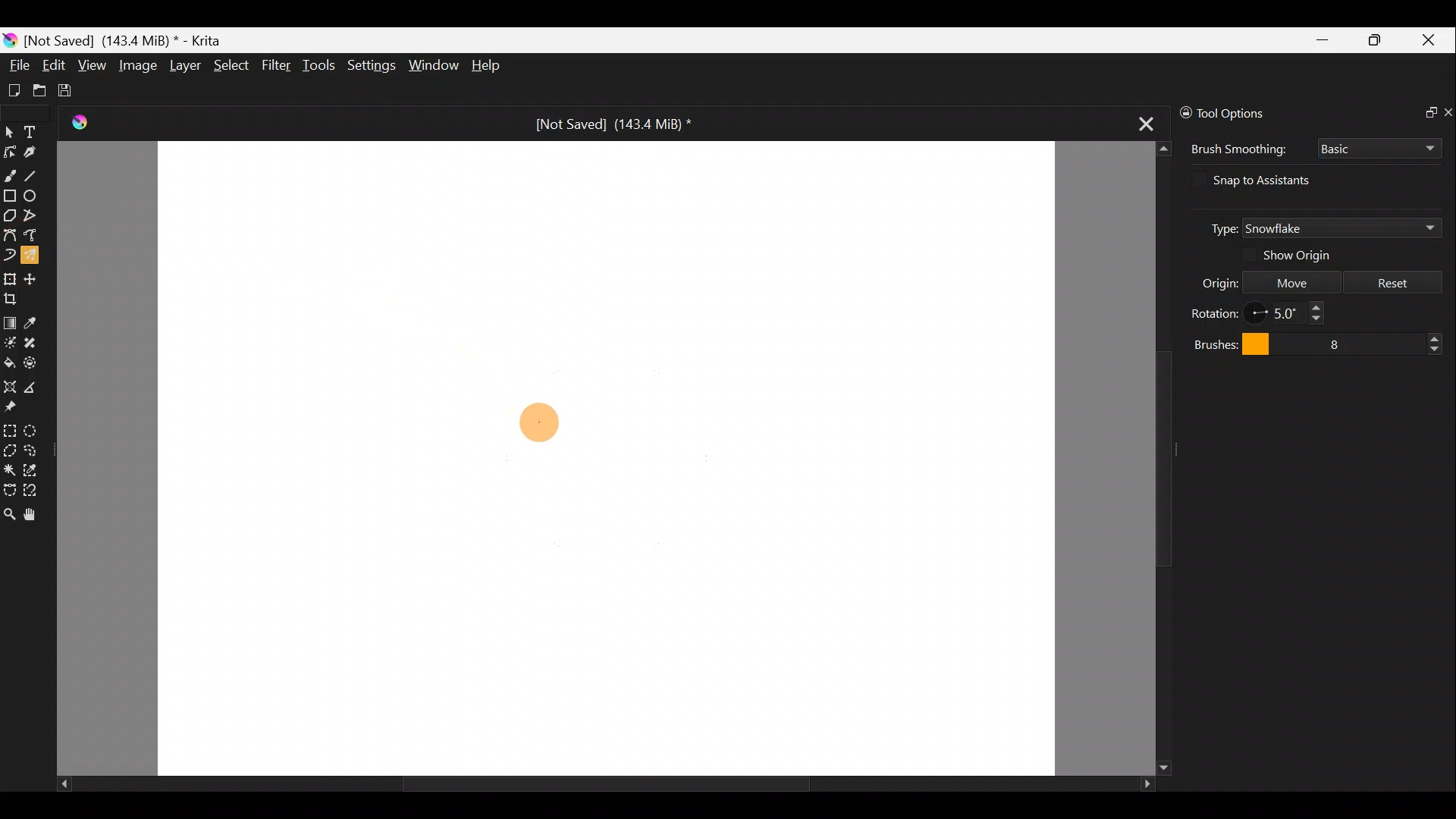 The width and height of the screenshot is (1456, 819). What do you see at coordinates (1370, 341) in the screenshot?
I see `8` at bounding box center [1370, 341].